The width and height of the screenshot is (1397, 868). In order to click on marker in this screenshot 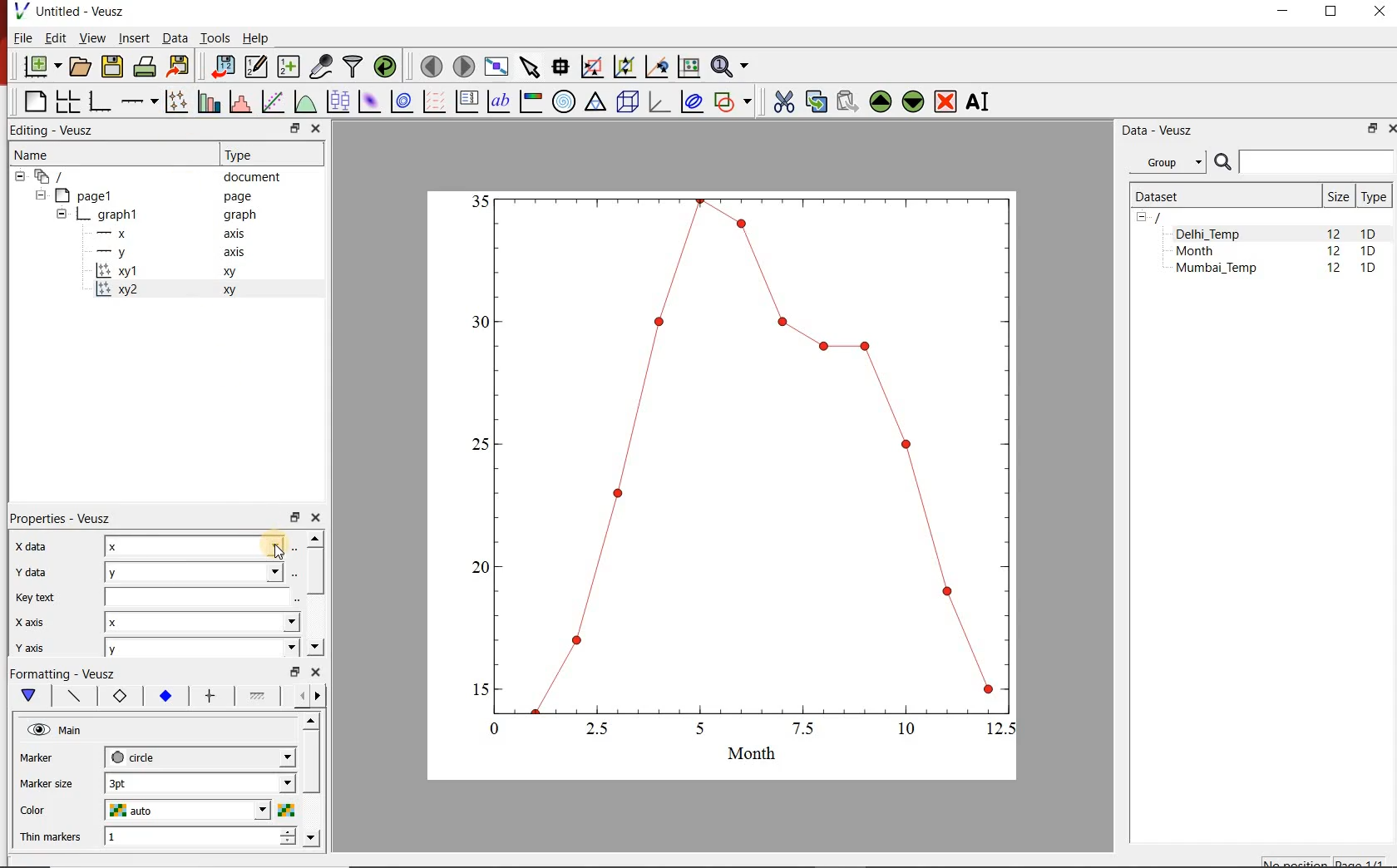, I will do `click(49, 757)`.